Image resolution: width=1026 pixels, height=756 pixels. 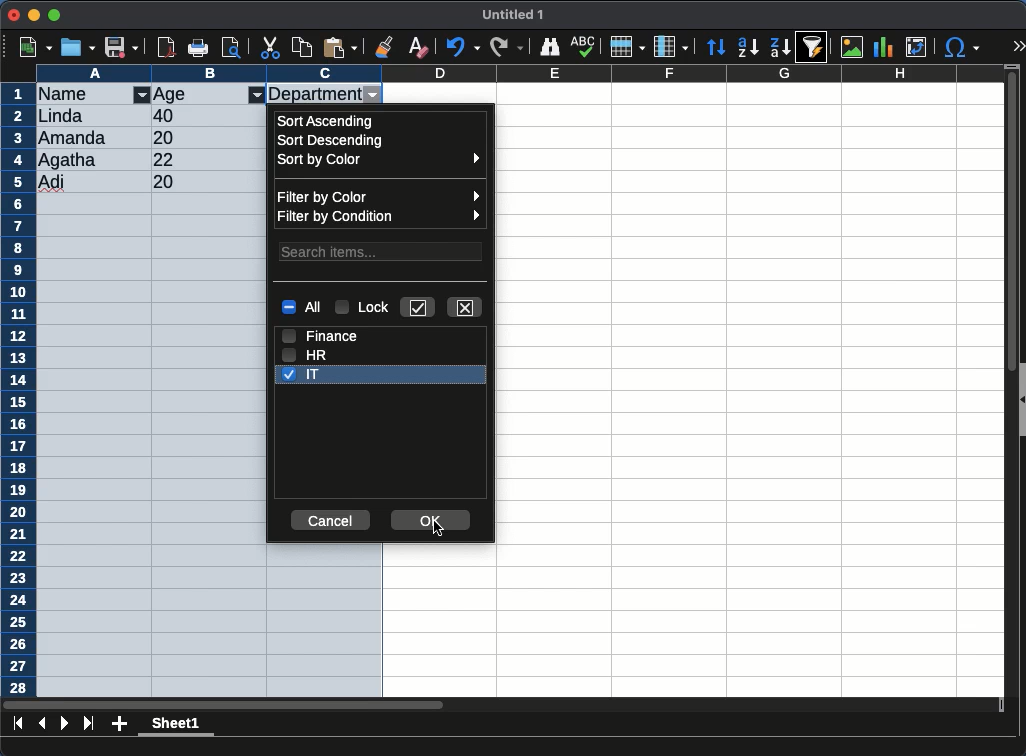 I want to click on filter, so click(x=142, y=96).